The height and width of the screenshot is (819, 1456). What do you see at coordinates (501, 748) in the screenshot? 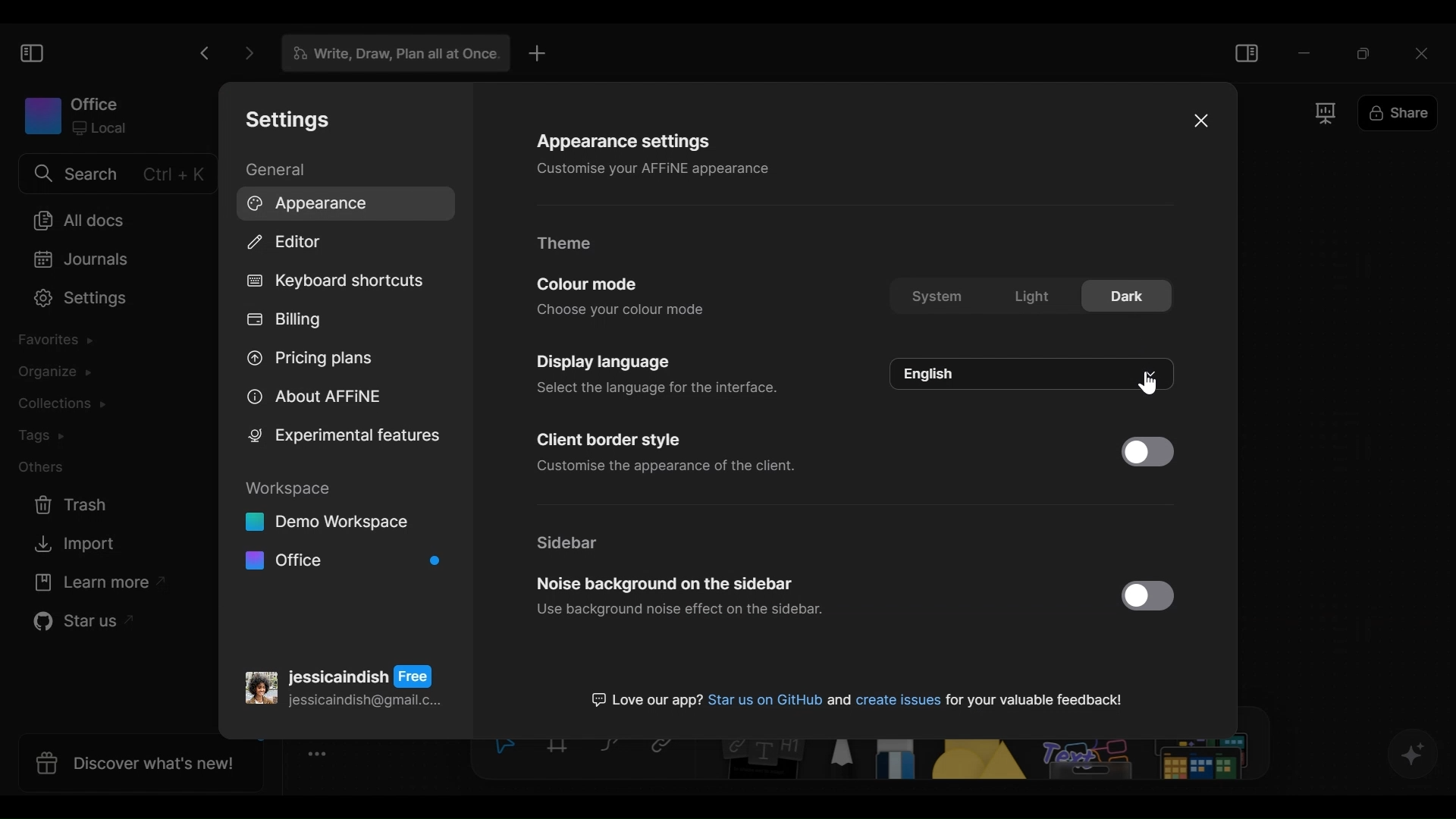
I see `Select` at bounding box center [501, 748].